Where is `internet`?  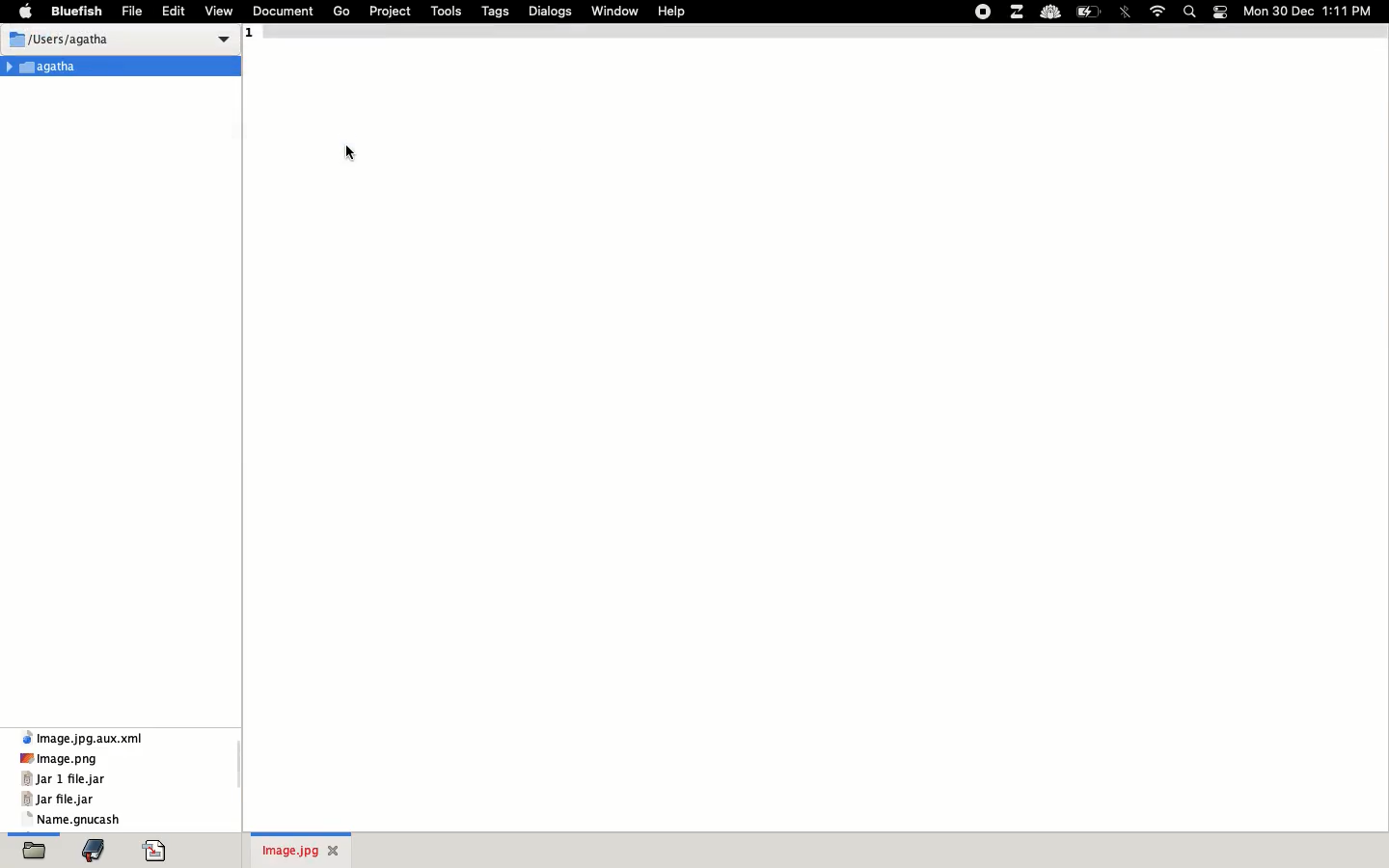
internet is located at coordinates (1157, 10).